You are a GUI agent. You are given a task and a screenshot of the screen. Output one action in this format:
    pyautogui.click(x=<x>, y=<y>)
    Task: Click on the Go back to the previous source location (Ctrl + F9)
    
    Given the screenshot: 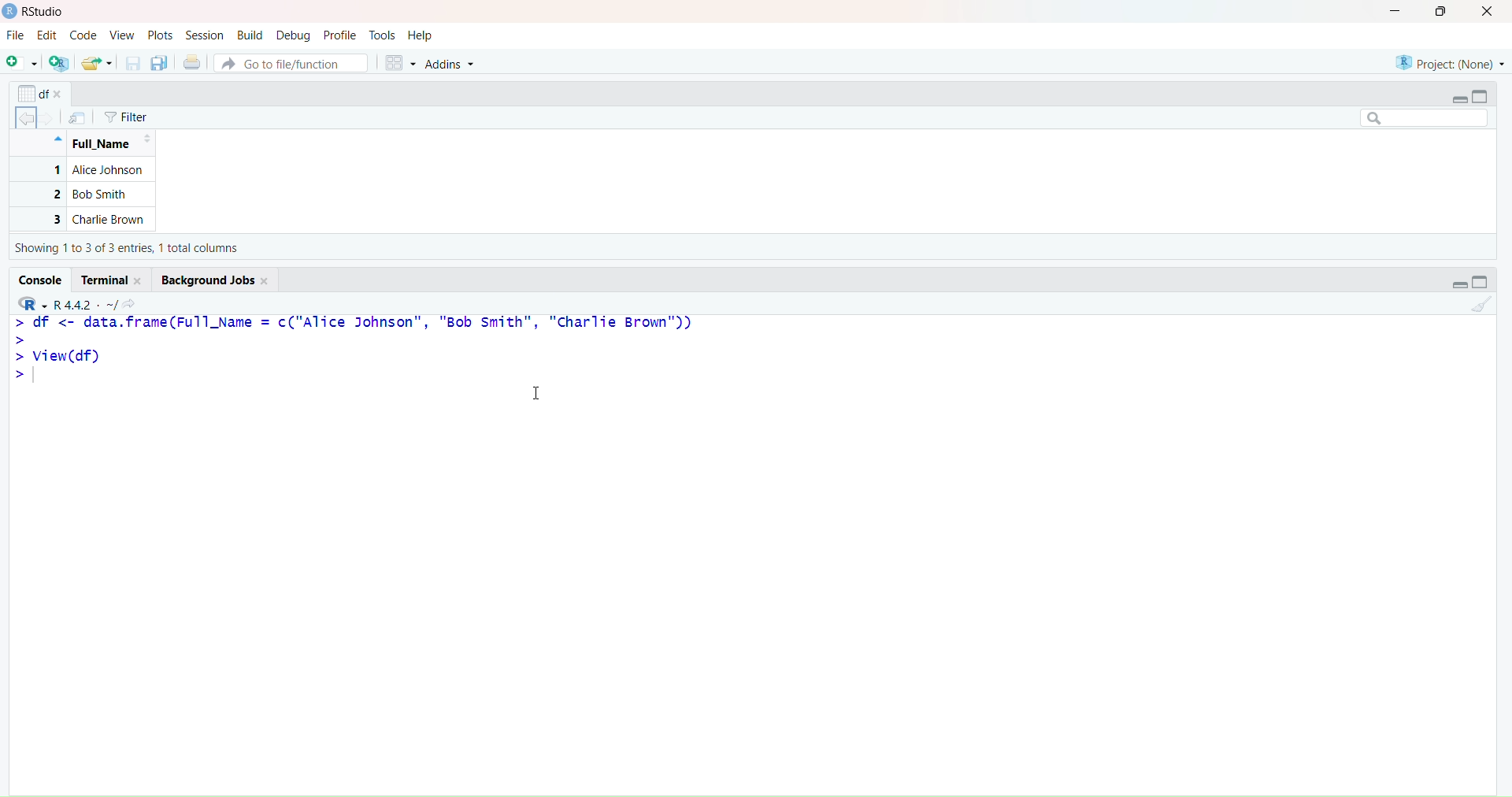 What is the action you would take?
    pyautogui.click(x=22, y=117)
    